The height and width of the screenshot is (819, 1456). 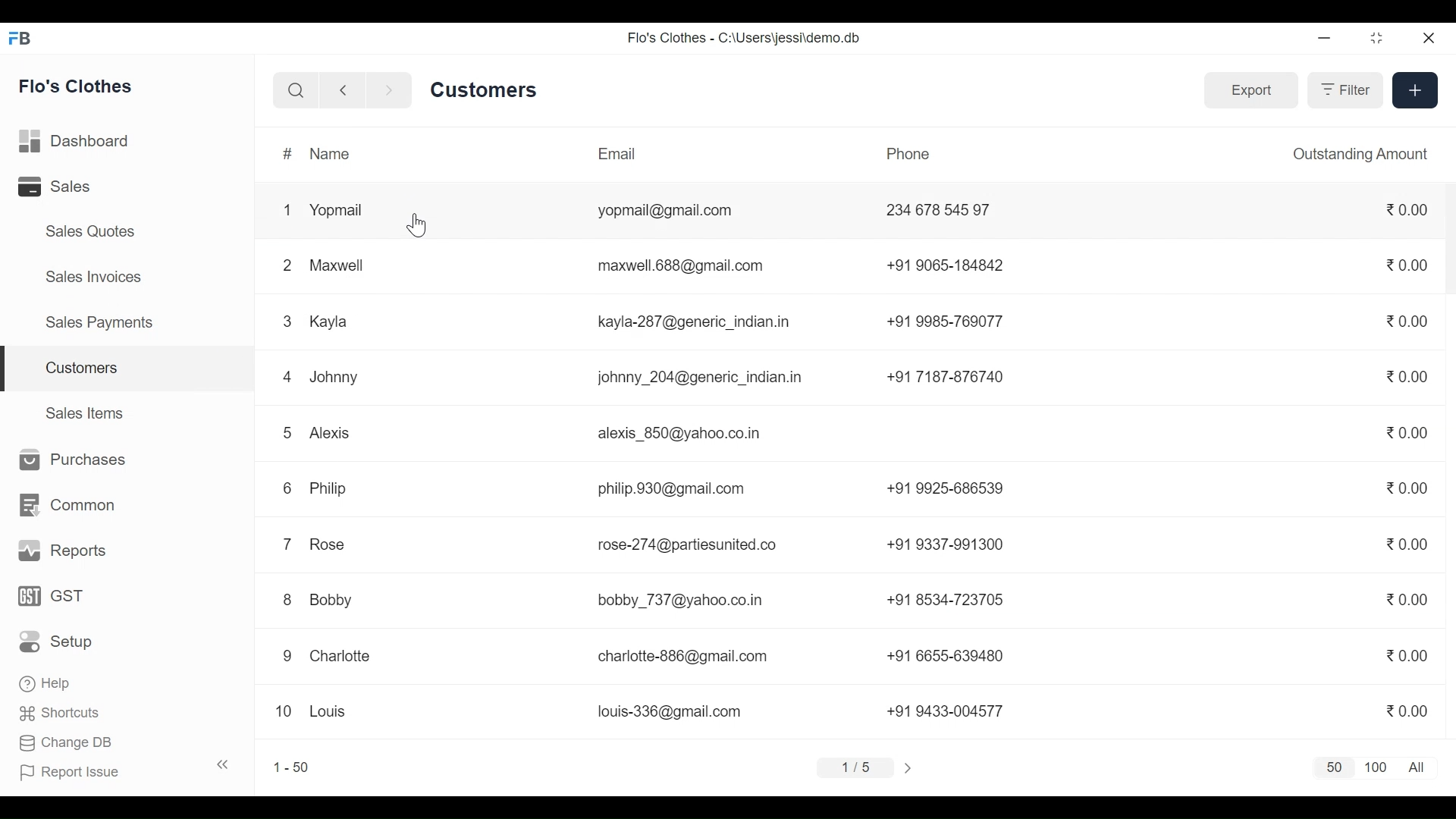 What do you see at coordinates (1375, 765) in the screenshot?
I see `100` at bounding box center [1375, 765].